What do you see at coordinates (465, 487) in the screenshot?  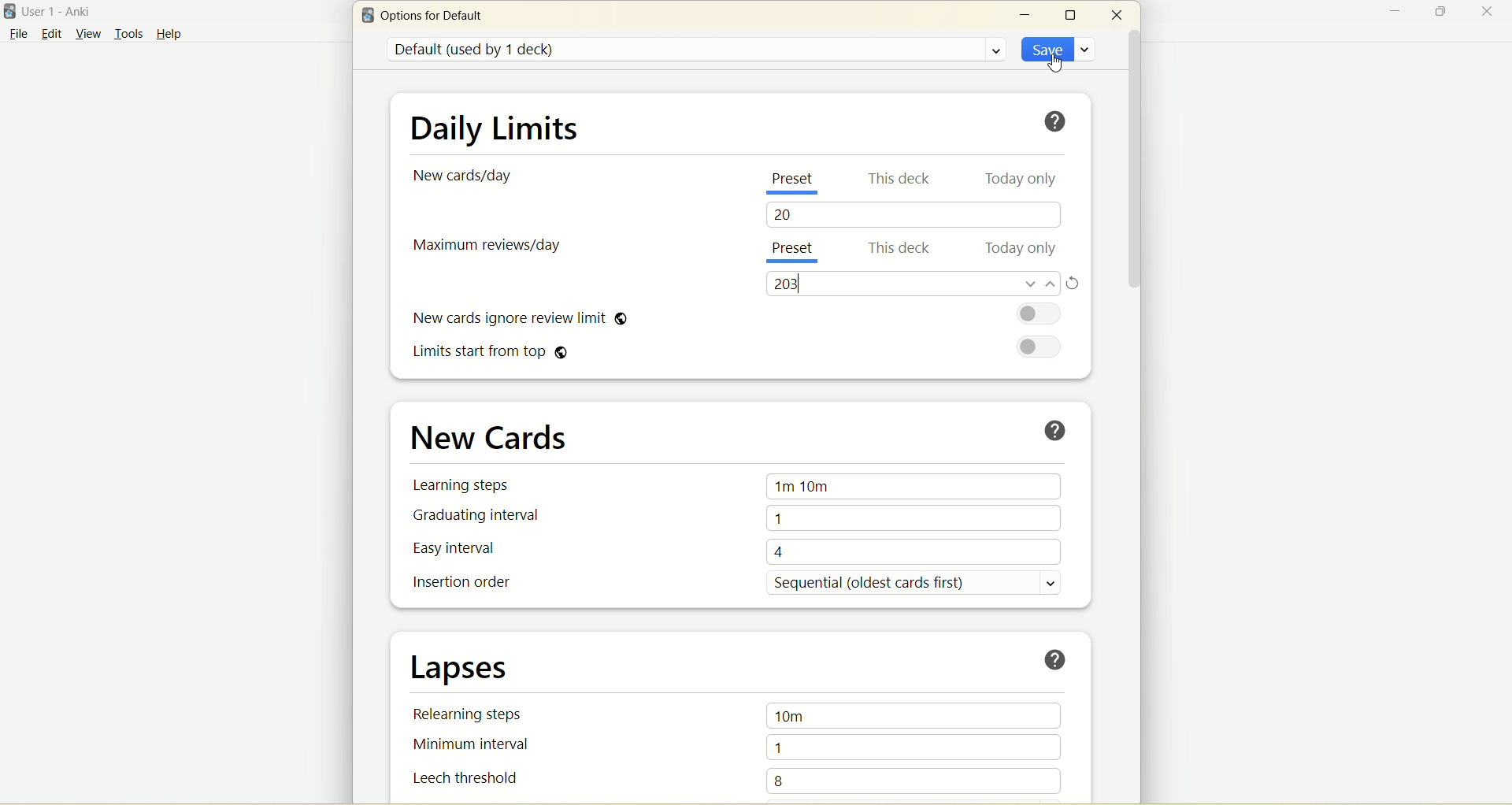 I see `learning steps` at bounding box center [465, 487].